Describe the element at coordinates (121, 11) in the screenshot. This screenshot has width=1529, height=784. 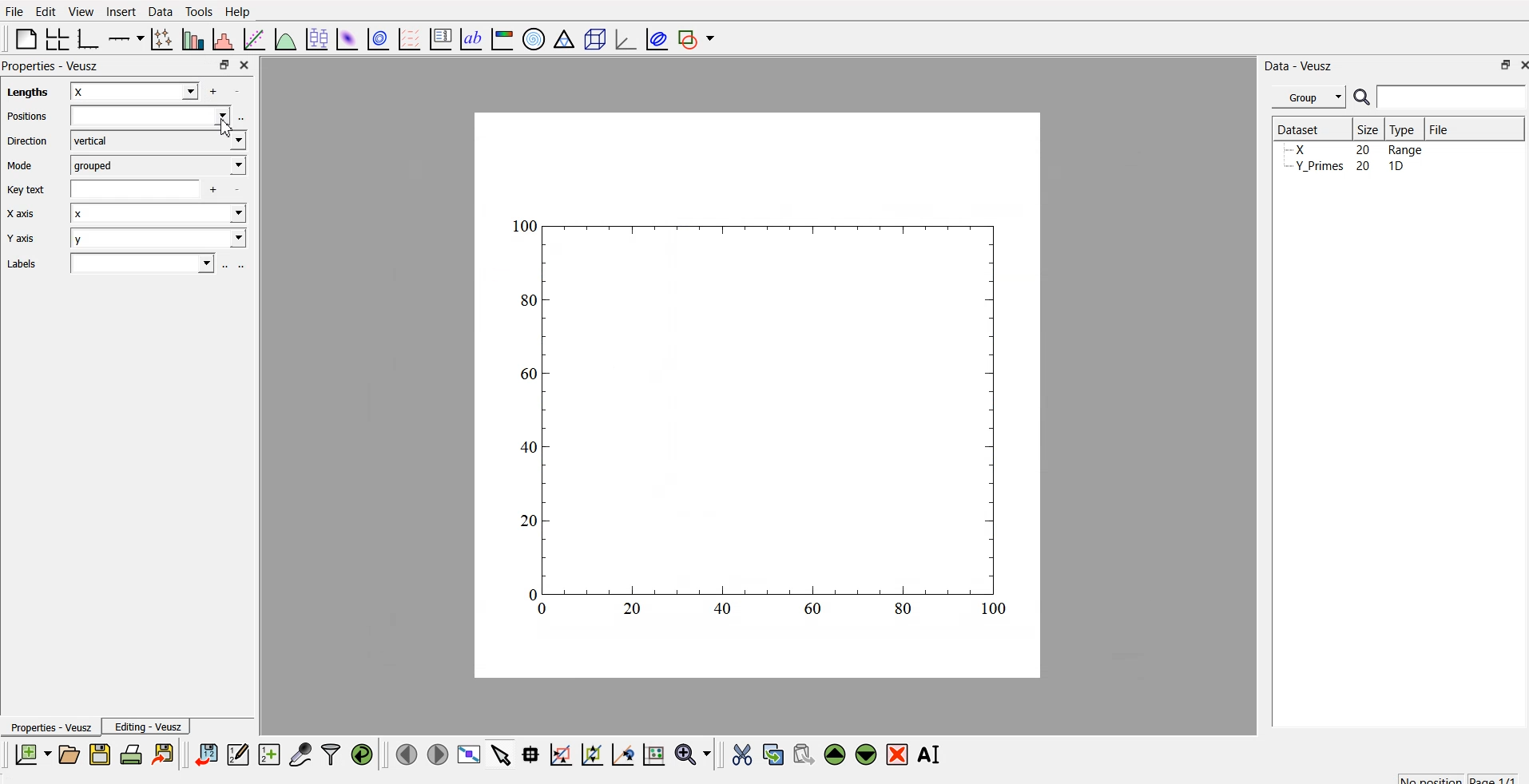
I see `Insert` at that location.